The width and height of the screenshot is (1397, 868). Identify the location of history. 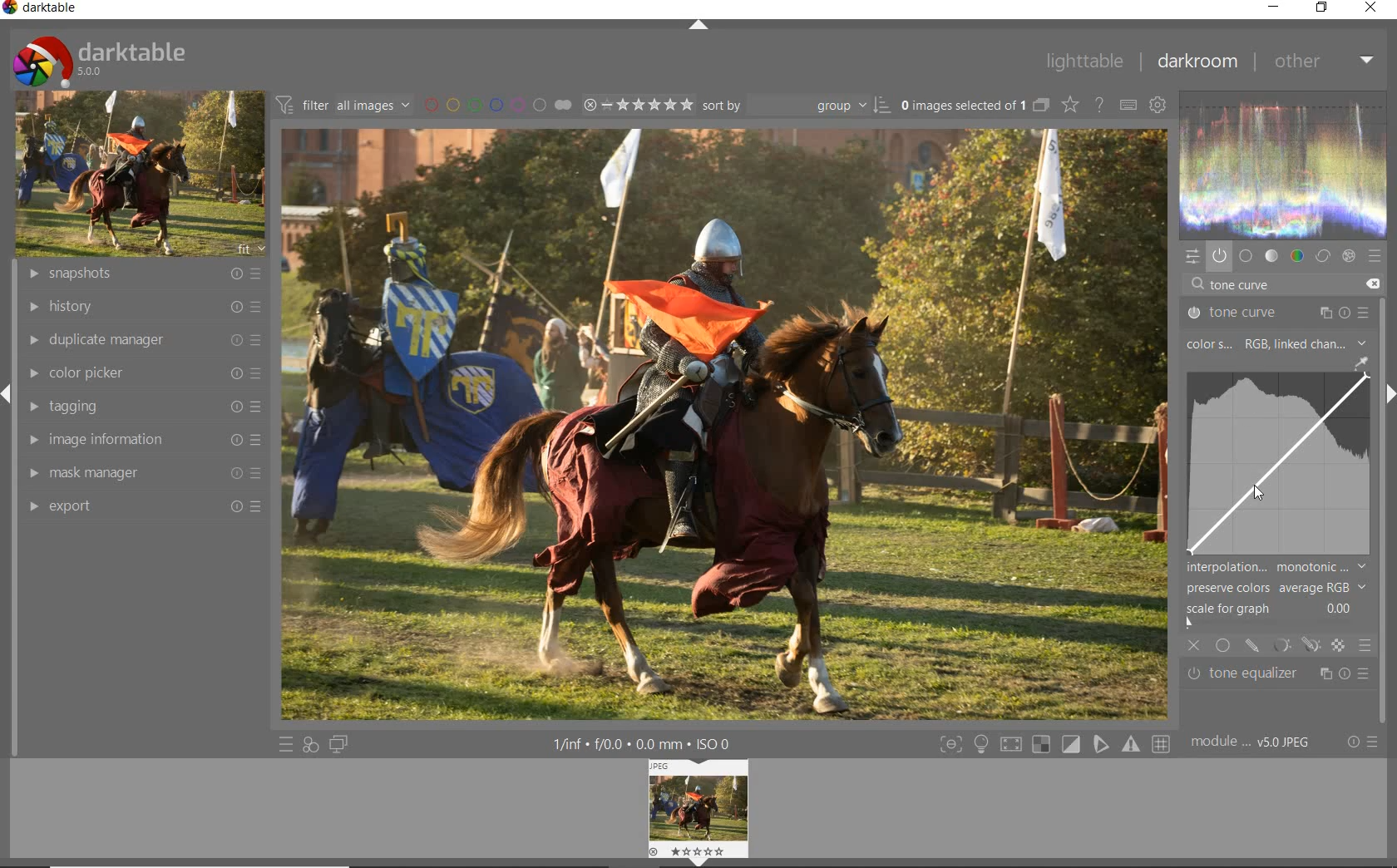
(142, 308).